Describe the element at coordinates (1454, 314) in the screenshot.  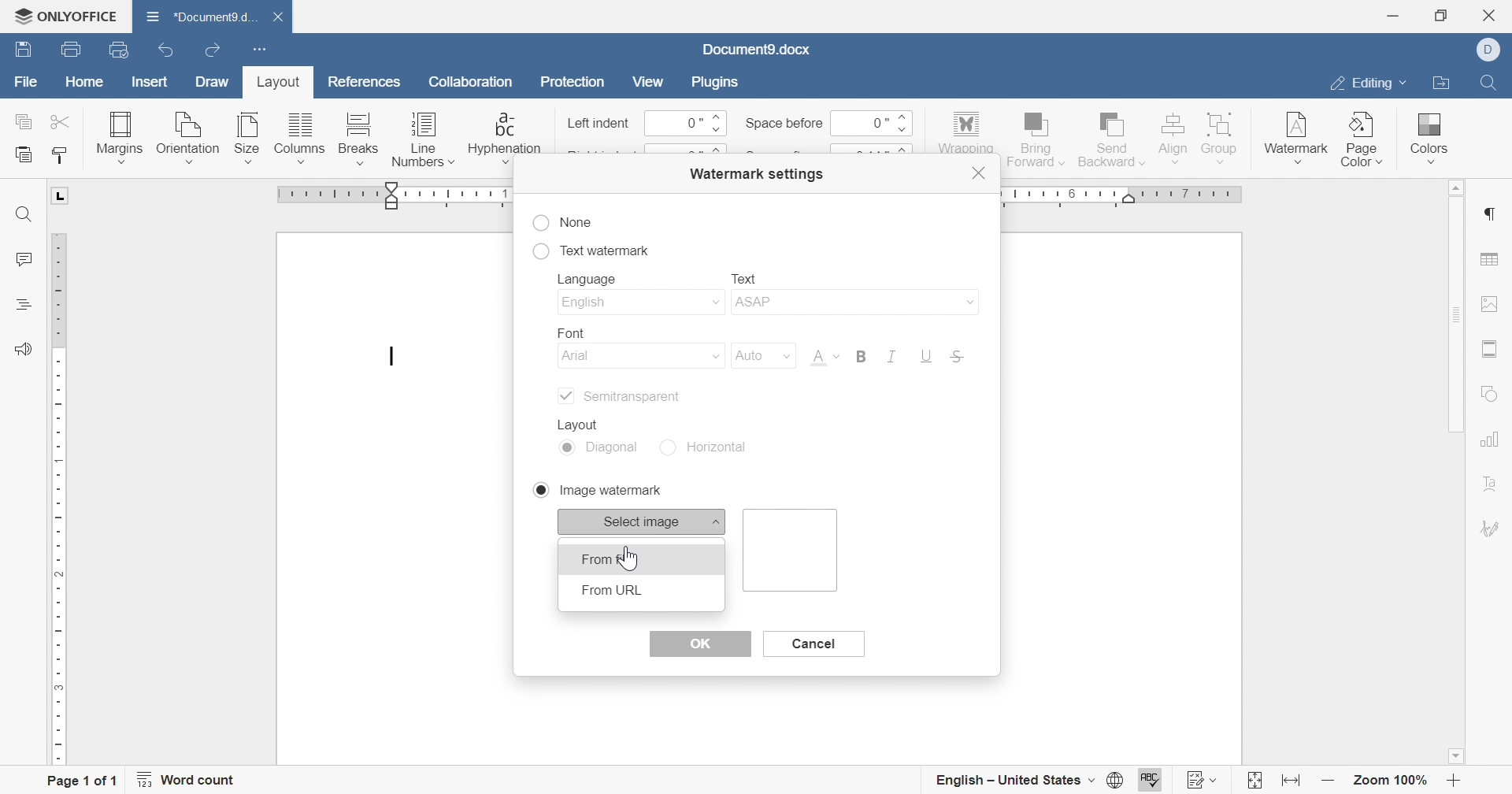
I see `scroll bar` at that location.